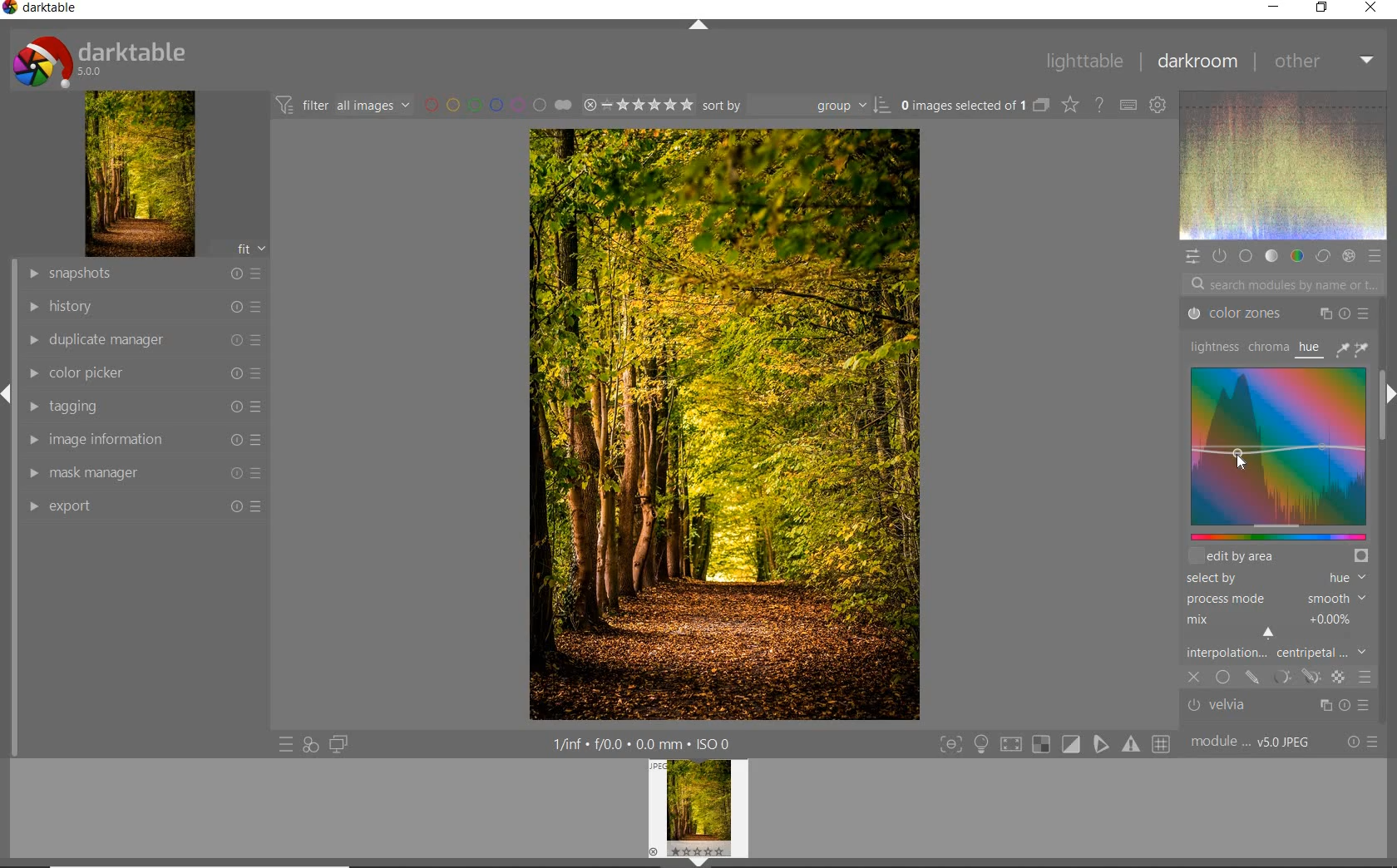 The image size is (1397, 868). What do you see at coordinates (795, 105) in the screenshot?
I see `SORT` at bounding box center [795, 105].